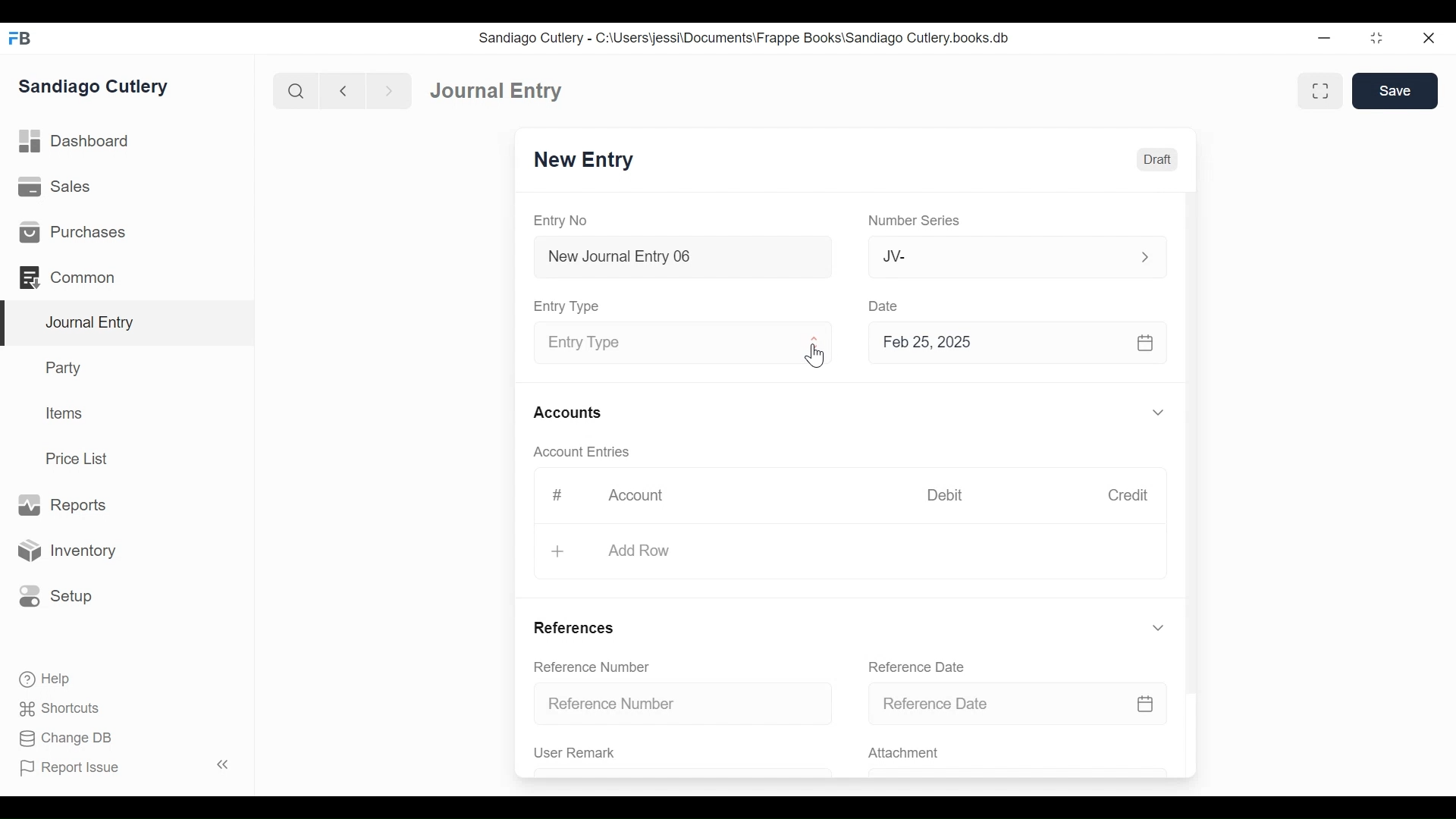 The height and width of the screenshot is (819, 1456). Describe the element at coordinates (71, 232) in the screenshot. I see `Purchases` at that location.